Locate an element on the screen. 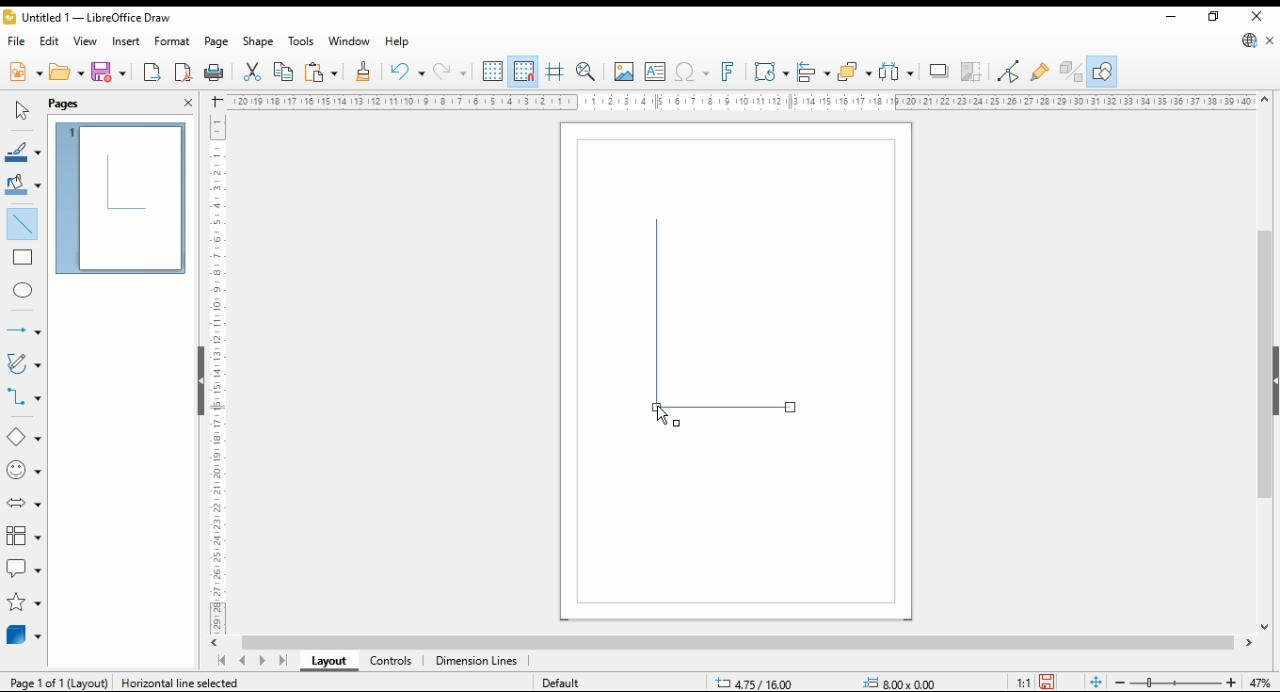  restore is located at coordinates (1216, 16).